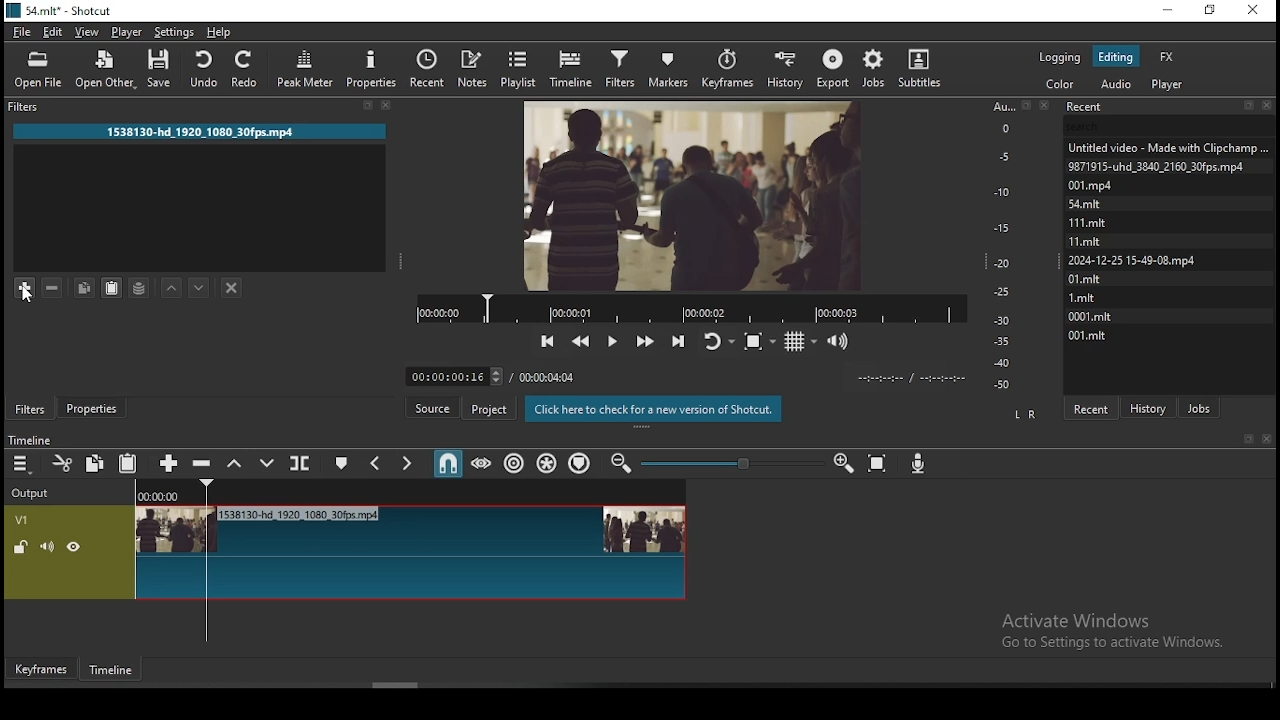 This screenshot has height=720, width=1280. I want to click on color, so click(1059, 83).